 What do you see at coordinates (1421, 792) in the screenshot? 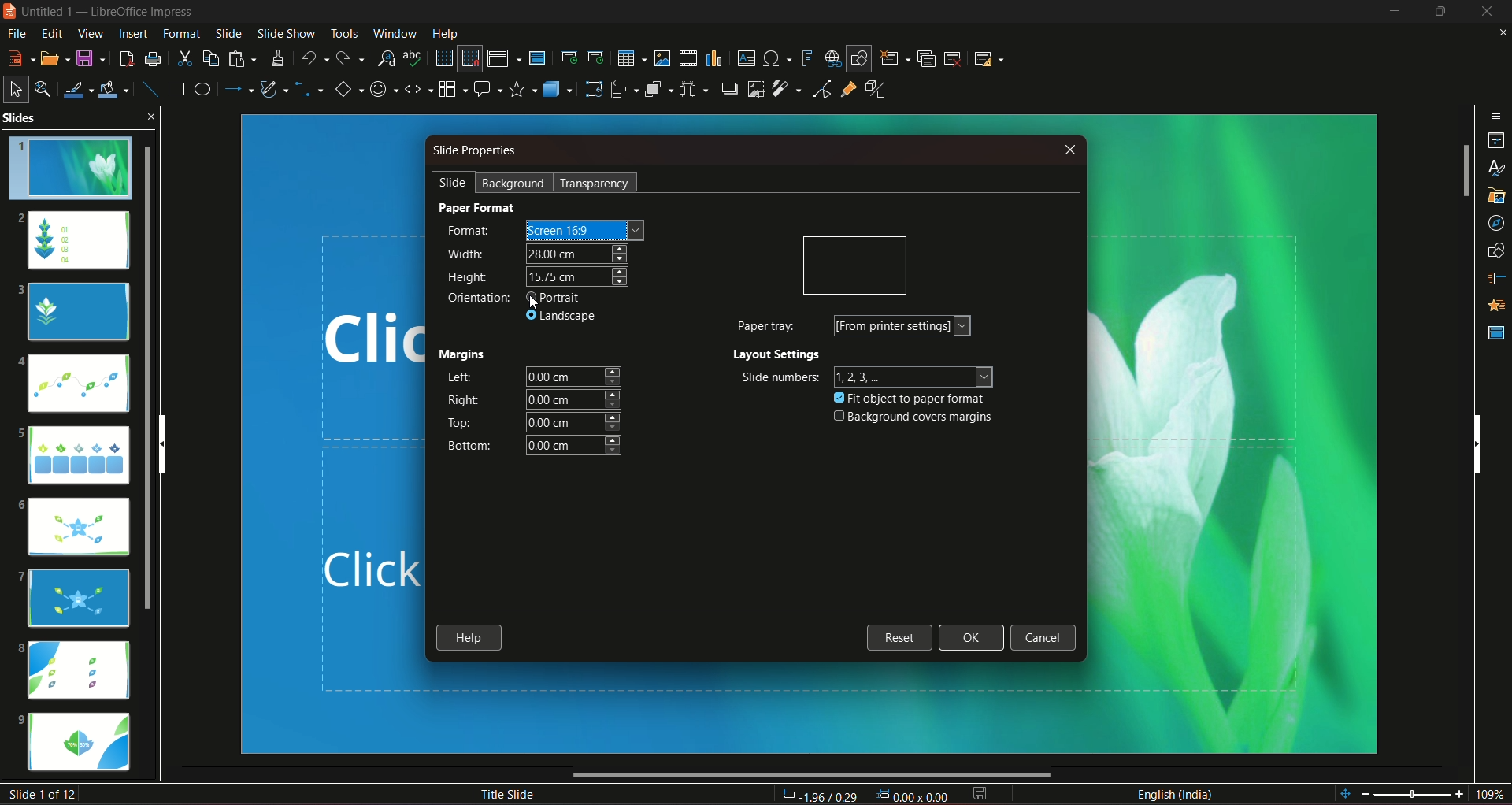
I see `zoom` at bounding box center [1421, 792].